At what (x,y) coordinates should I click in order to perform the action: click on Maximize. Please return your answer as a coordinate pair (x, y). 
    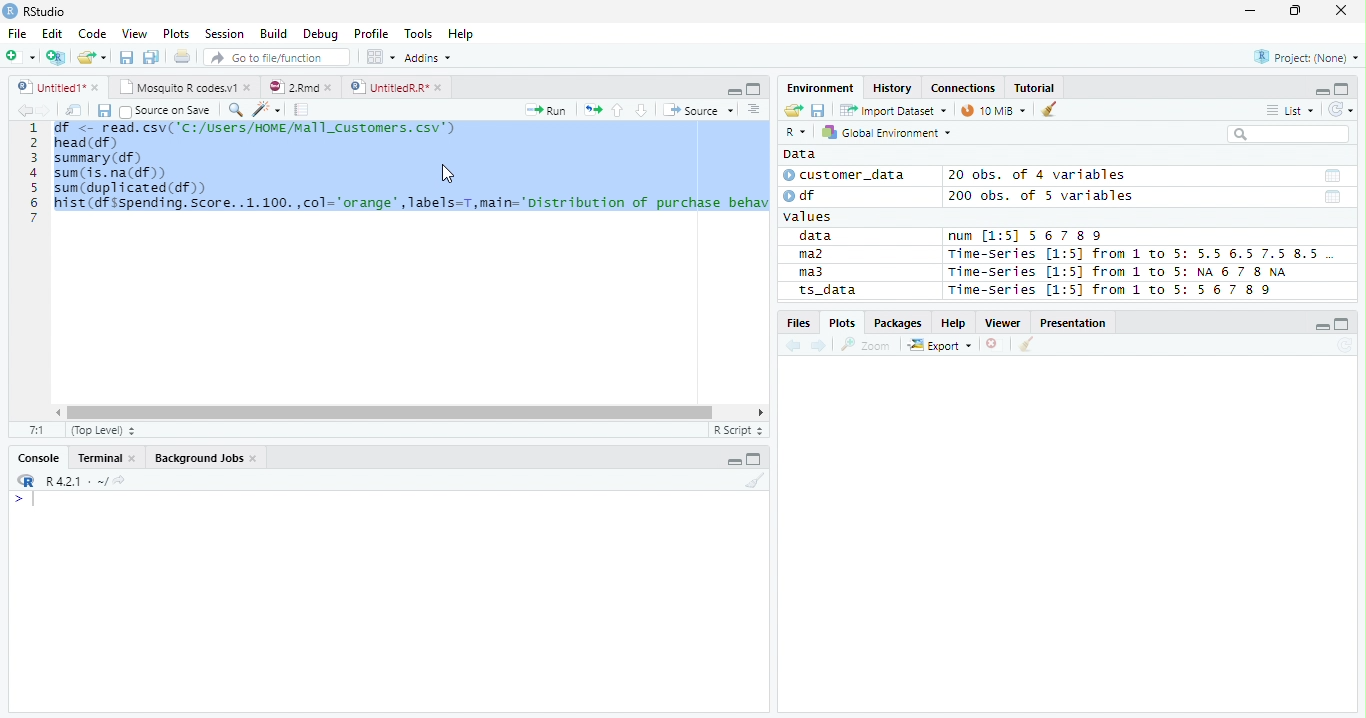
    Looking at the image, I should click on (1343, 89).